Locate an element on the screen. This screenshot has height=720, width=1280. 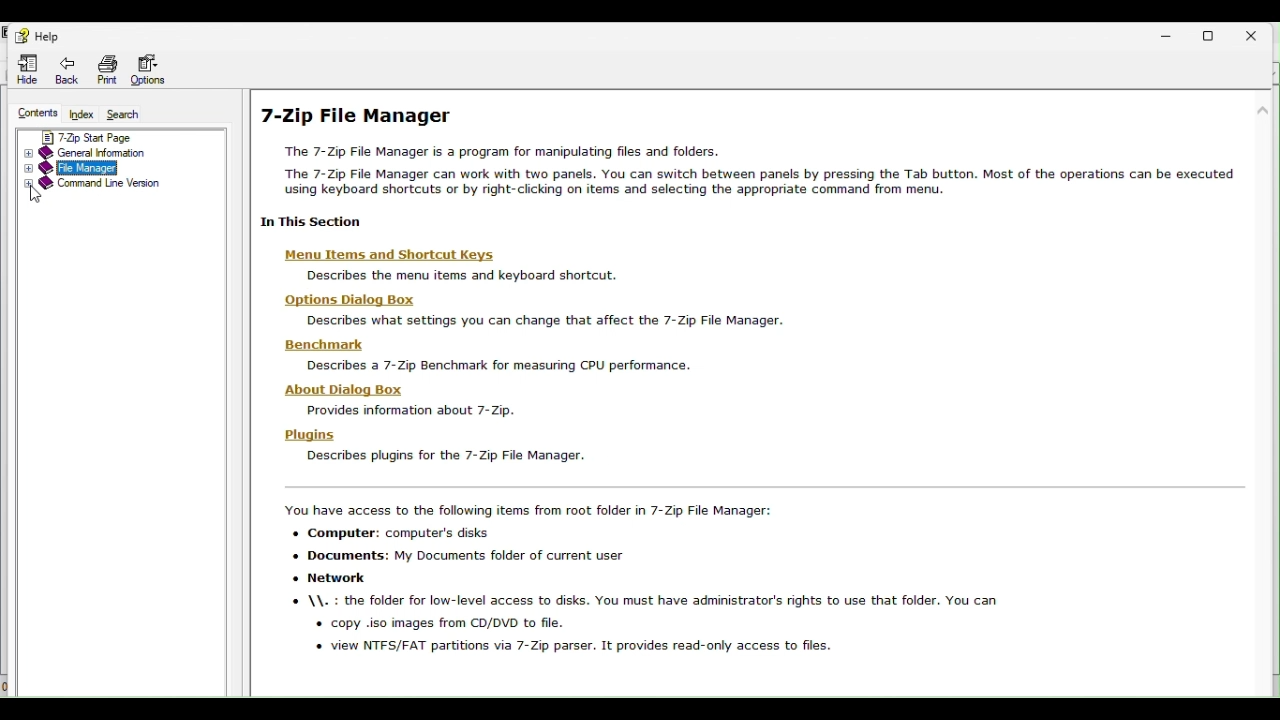
Back is located at coordinates (65, 68).